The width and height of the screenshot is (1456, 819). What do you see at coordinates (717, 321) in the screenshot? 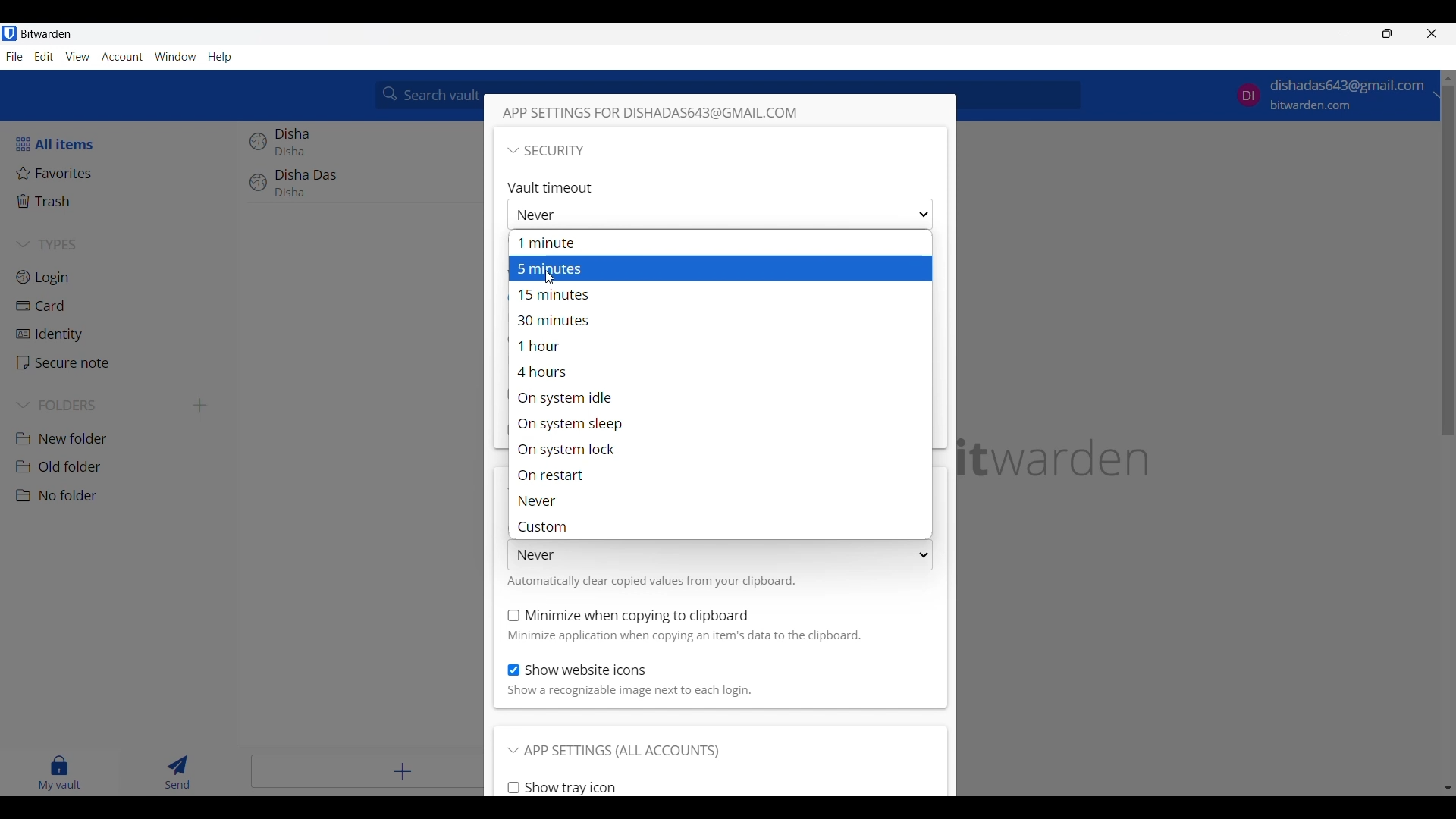
I see `30 minutes` at bounding box center [717, 321].